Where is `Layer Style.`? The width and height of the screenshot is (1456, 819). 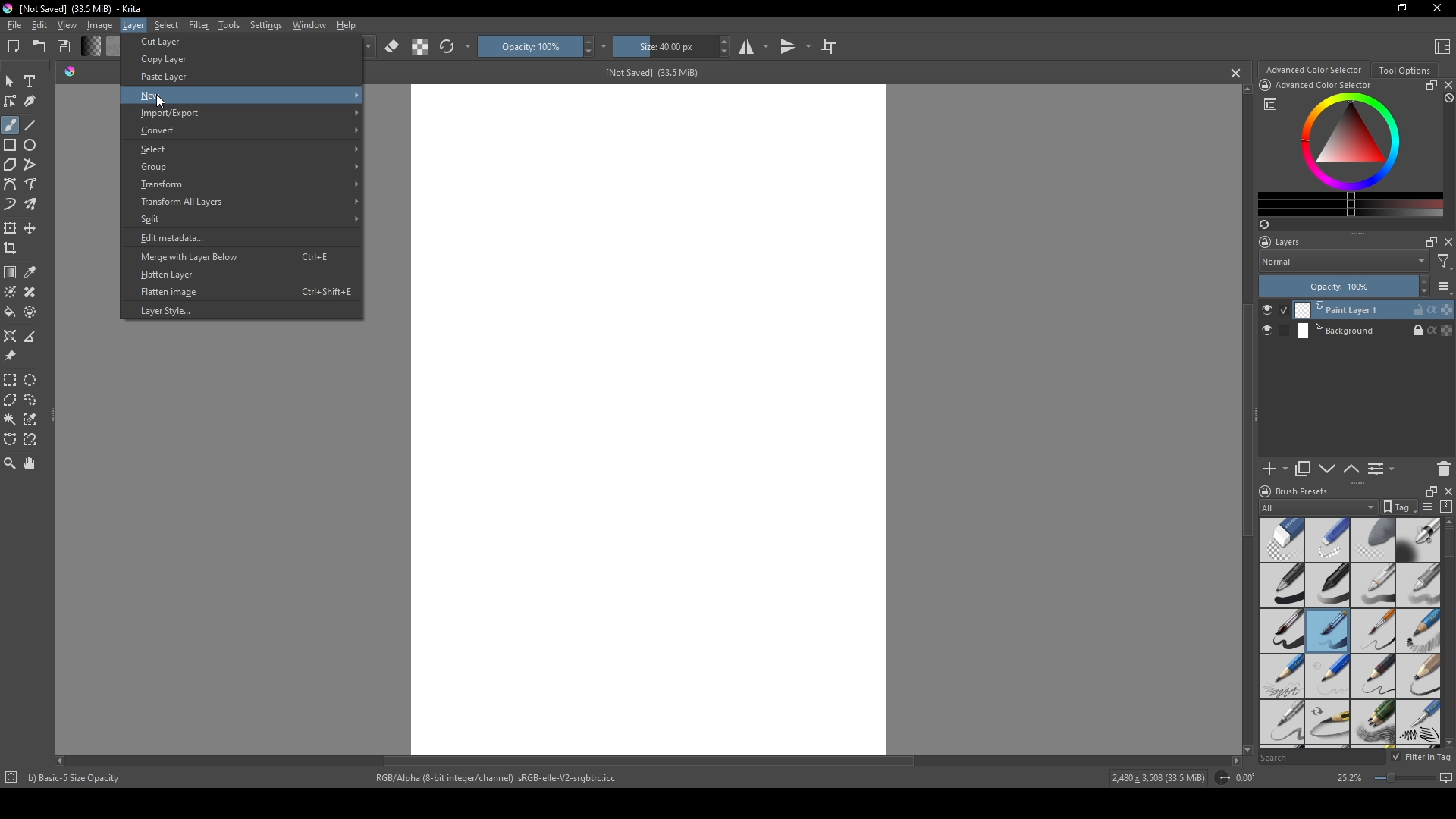 Layer Style. is located at coordinates (171, 311).